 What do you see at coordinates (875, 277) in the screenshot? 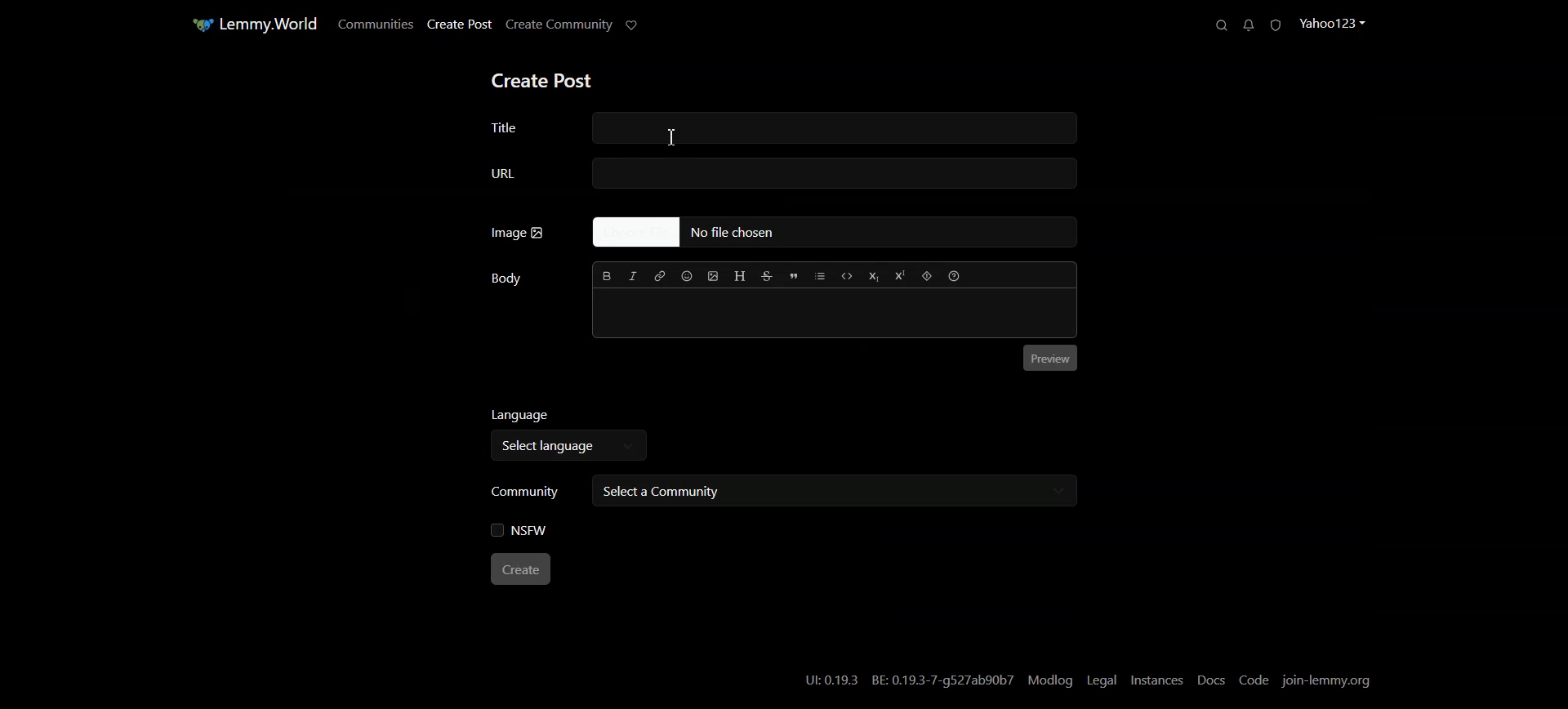
I see `Subscript` at bounding box center [875, 277].